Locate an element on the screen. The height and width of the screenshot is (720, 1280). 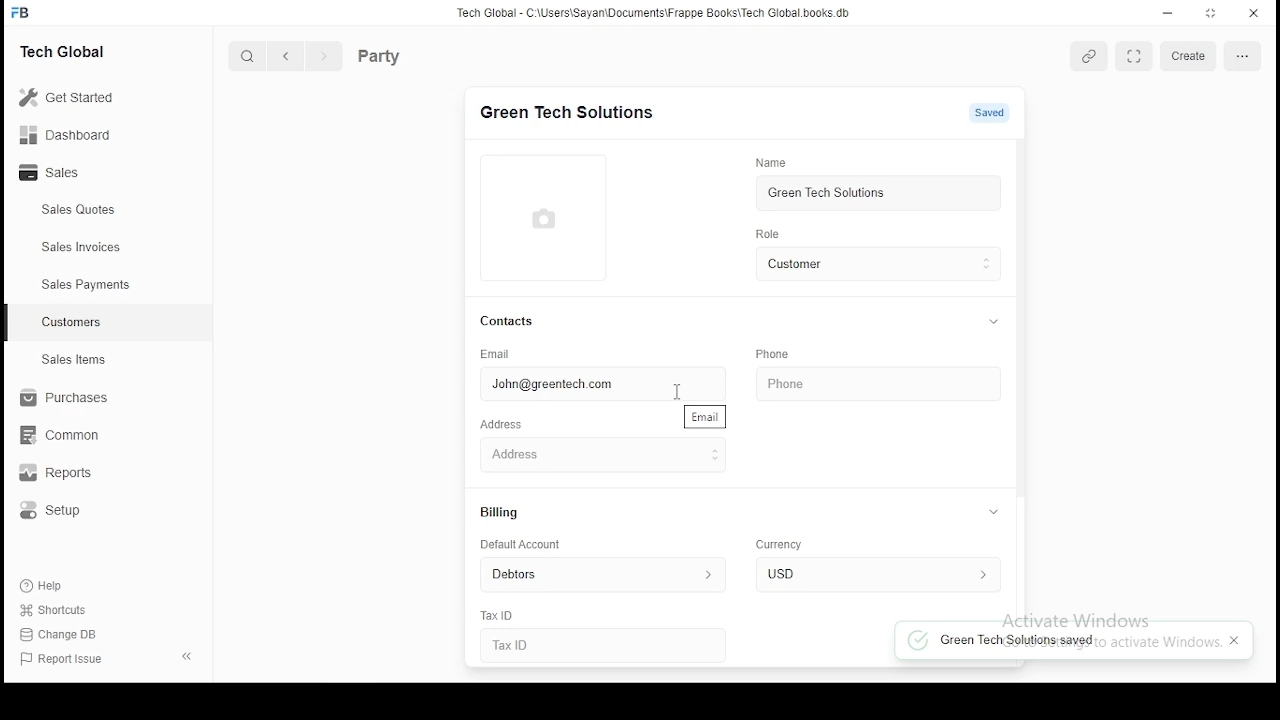
search is located at coordinates (248, 55).